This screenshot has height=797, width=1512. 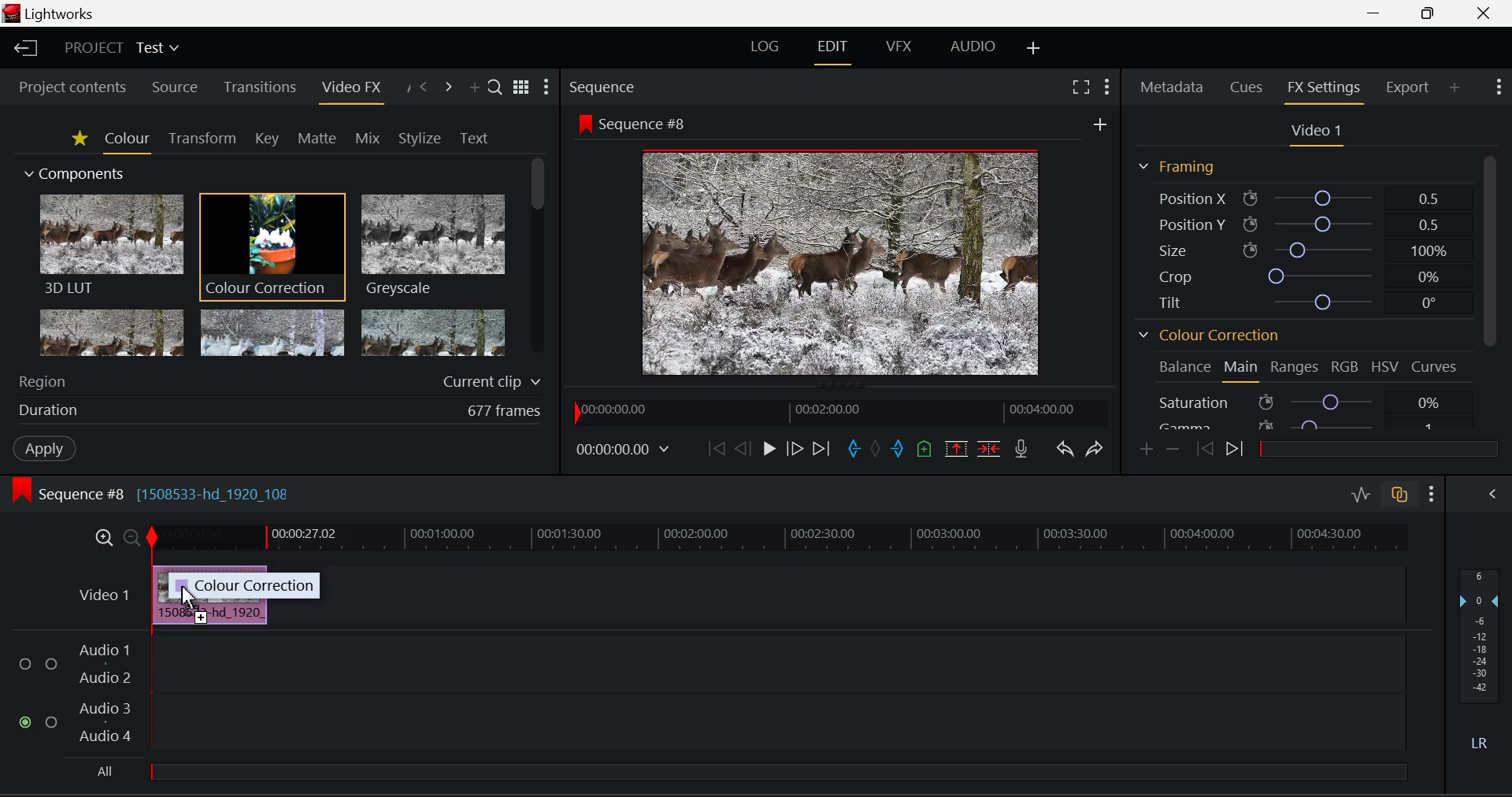 What do you see at coordinates (1096, 450) in the screenshot?
I see `Redo` at bounding box center [1096, 450].